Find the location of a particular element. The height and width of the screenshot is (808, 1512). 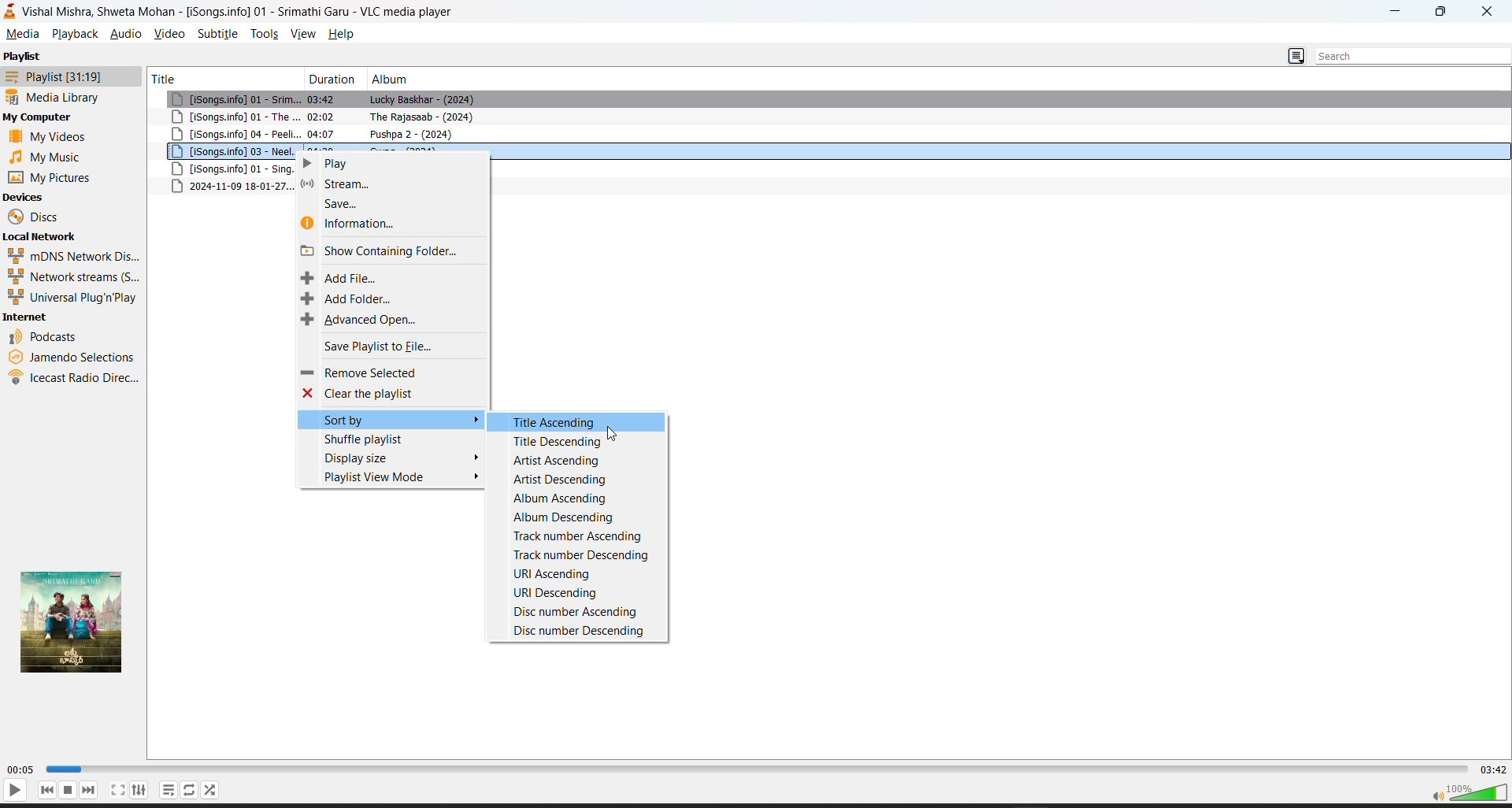

album ascending is located at coordinates (582, 497).